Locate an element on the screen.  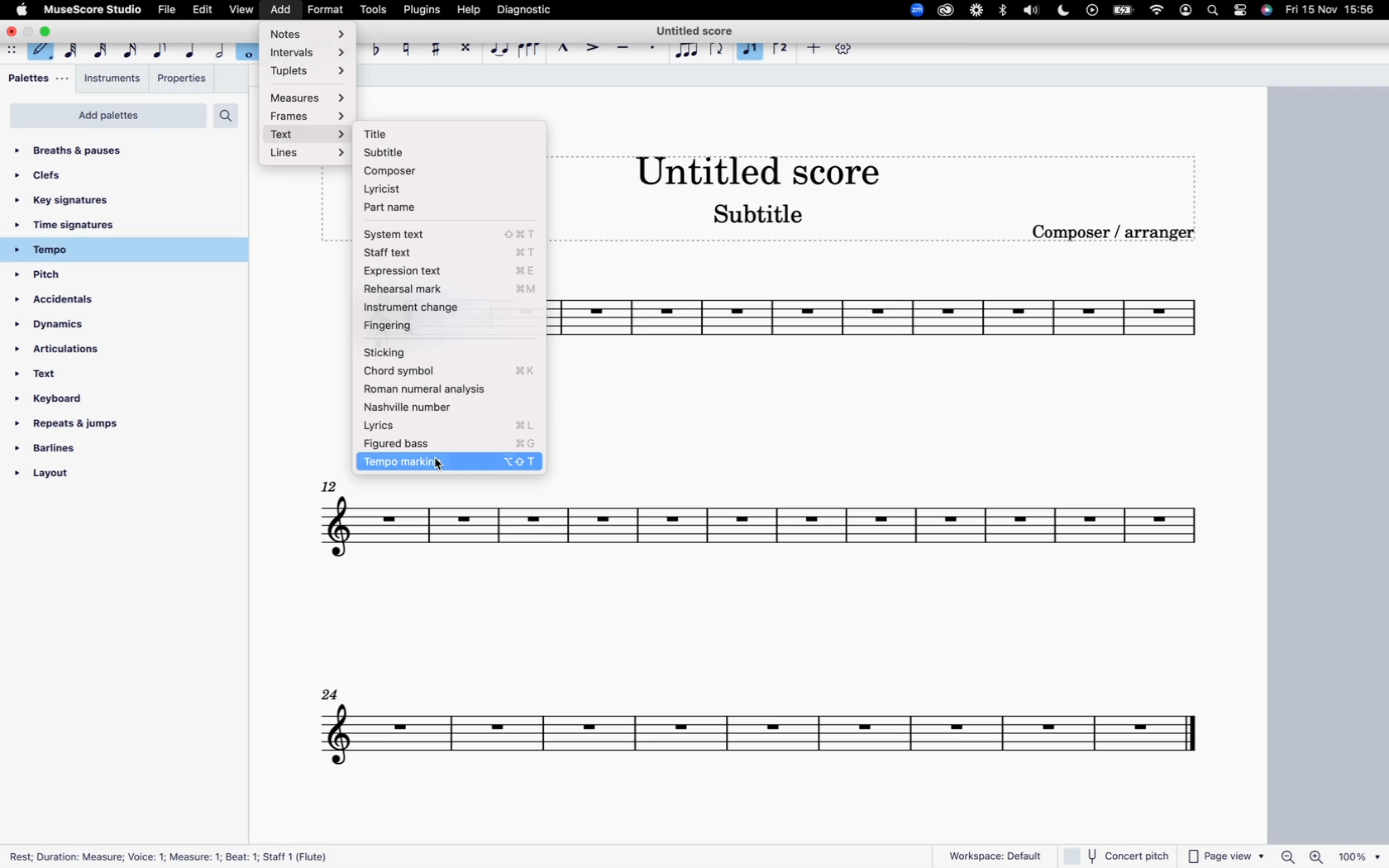
system text is located at coordinates (449, 231).